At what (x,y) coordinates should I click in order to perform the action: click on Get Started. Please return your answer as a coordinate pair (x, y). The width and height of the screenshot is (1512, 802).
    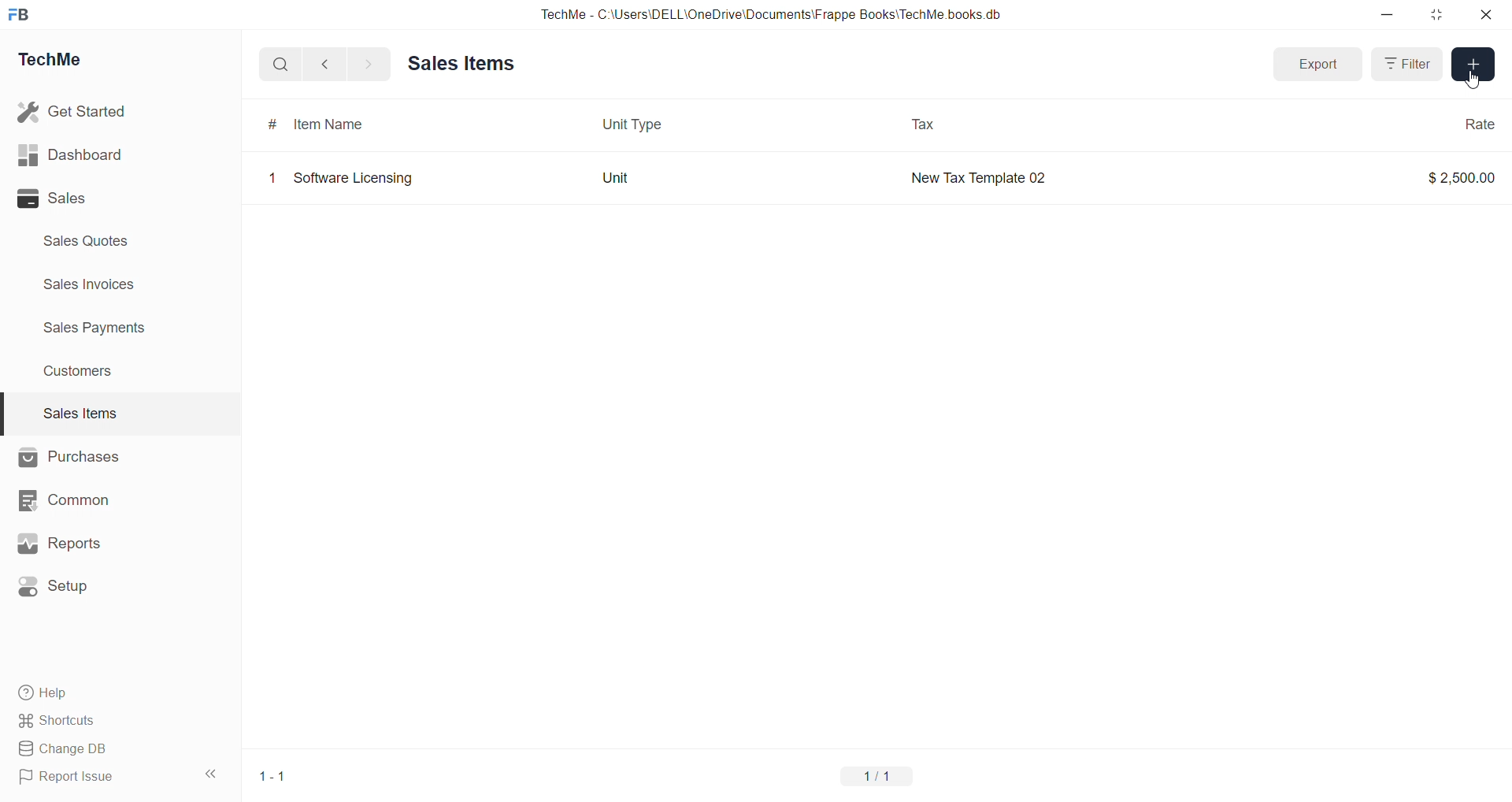
    Looking at the image, I should click on (73, 112).